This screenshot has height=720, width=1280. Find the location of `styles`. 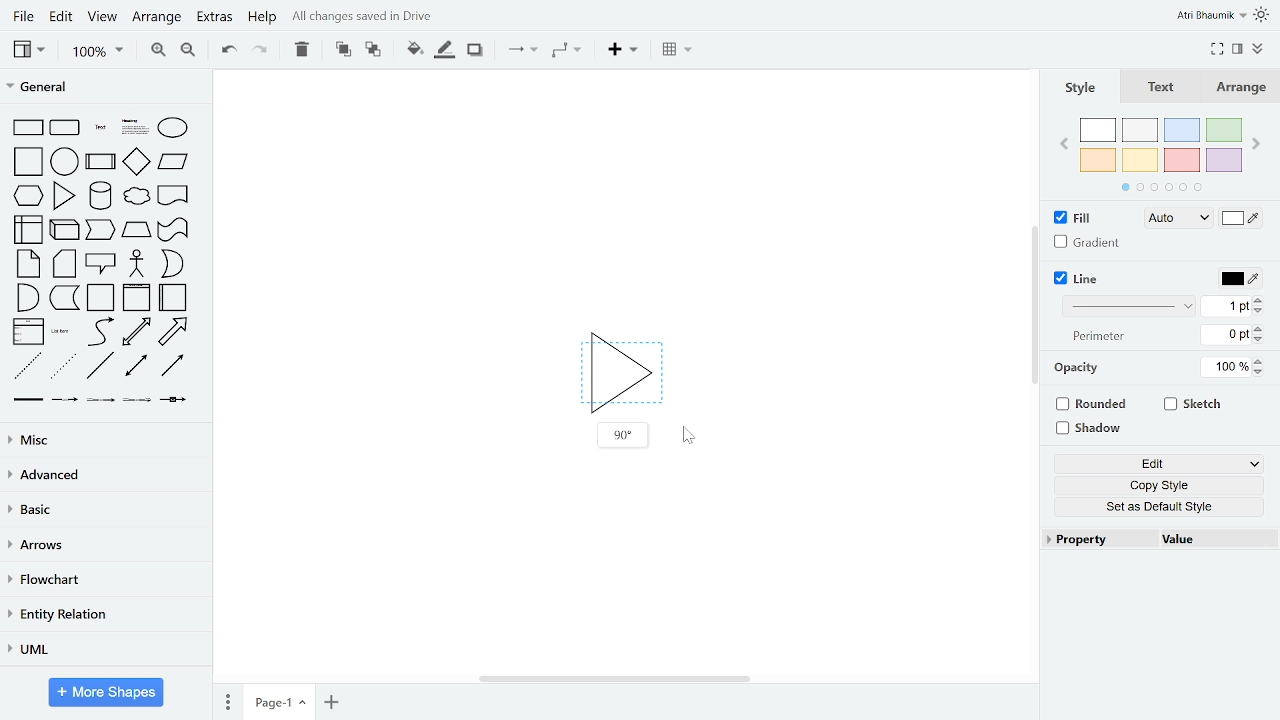

styles is located at coordinates (1078, 87).